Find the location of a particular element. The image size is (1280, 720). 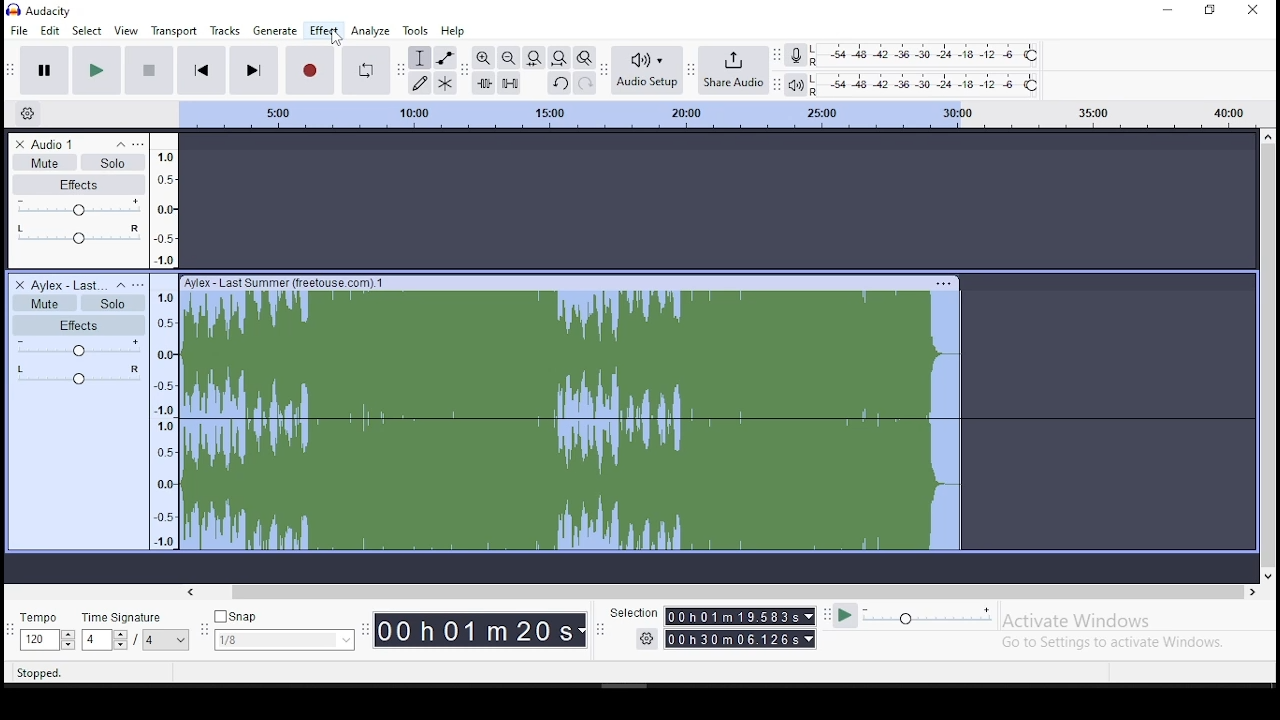

record is located at coordinates (308, 69).